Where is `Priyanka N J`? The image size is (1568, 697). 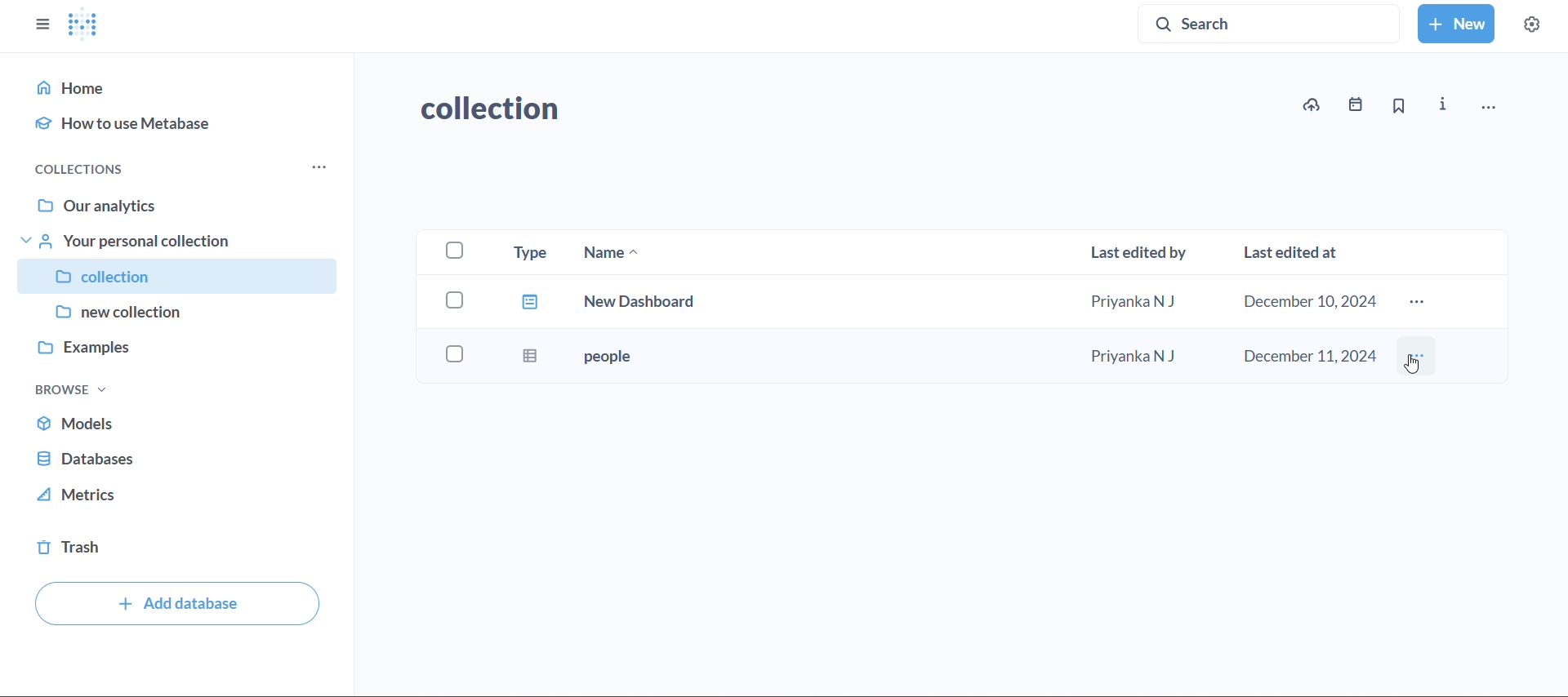 Priyanka N J is located at coordinates (1138, 300).